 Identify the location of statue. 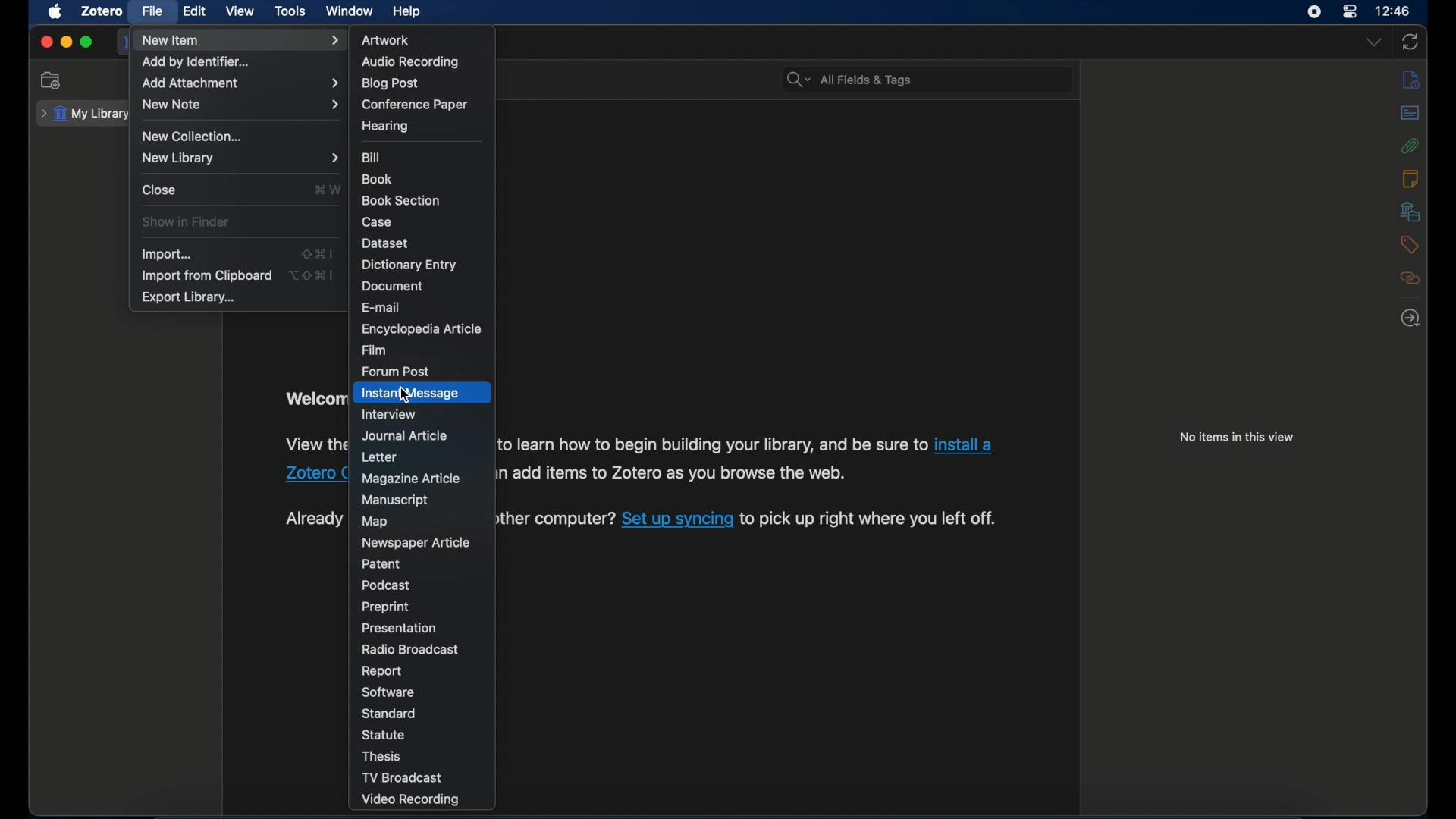
(385, 735).